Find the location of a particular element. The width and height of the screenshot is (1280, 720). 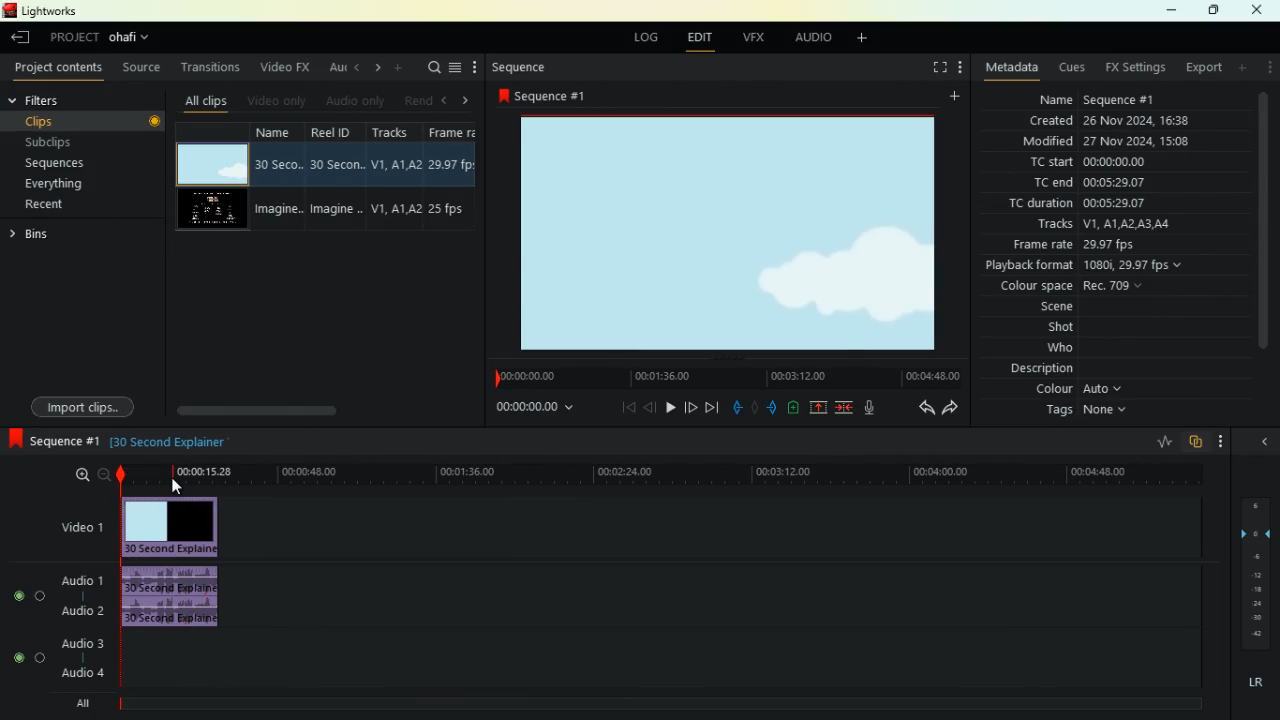

left is located at coordinates (359, 69).